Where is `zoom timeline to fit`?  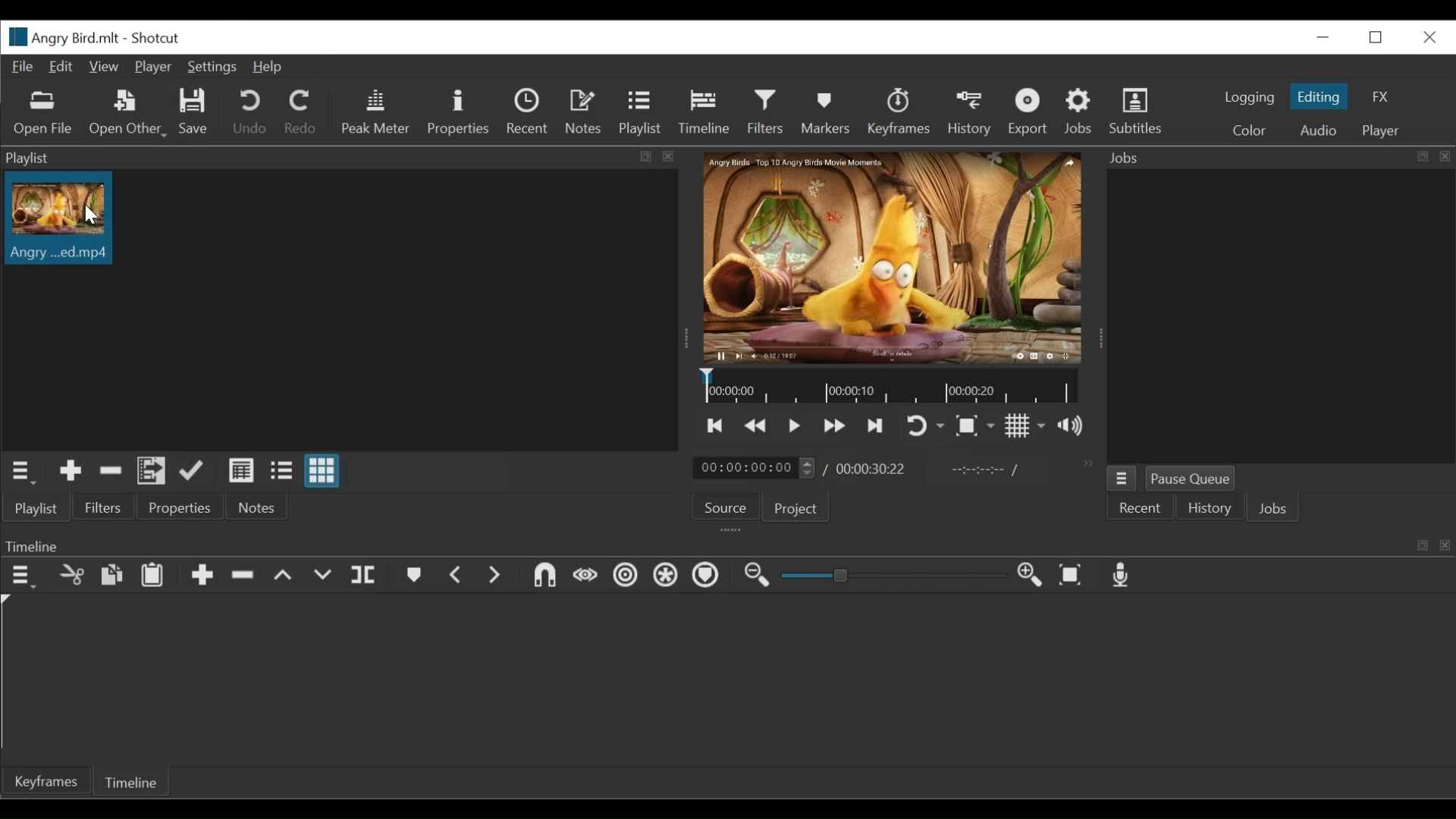
zoom timeline to fit is located at coordinates (1072, 575).